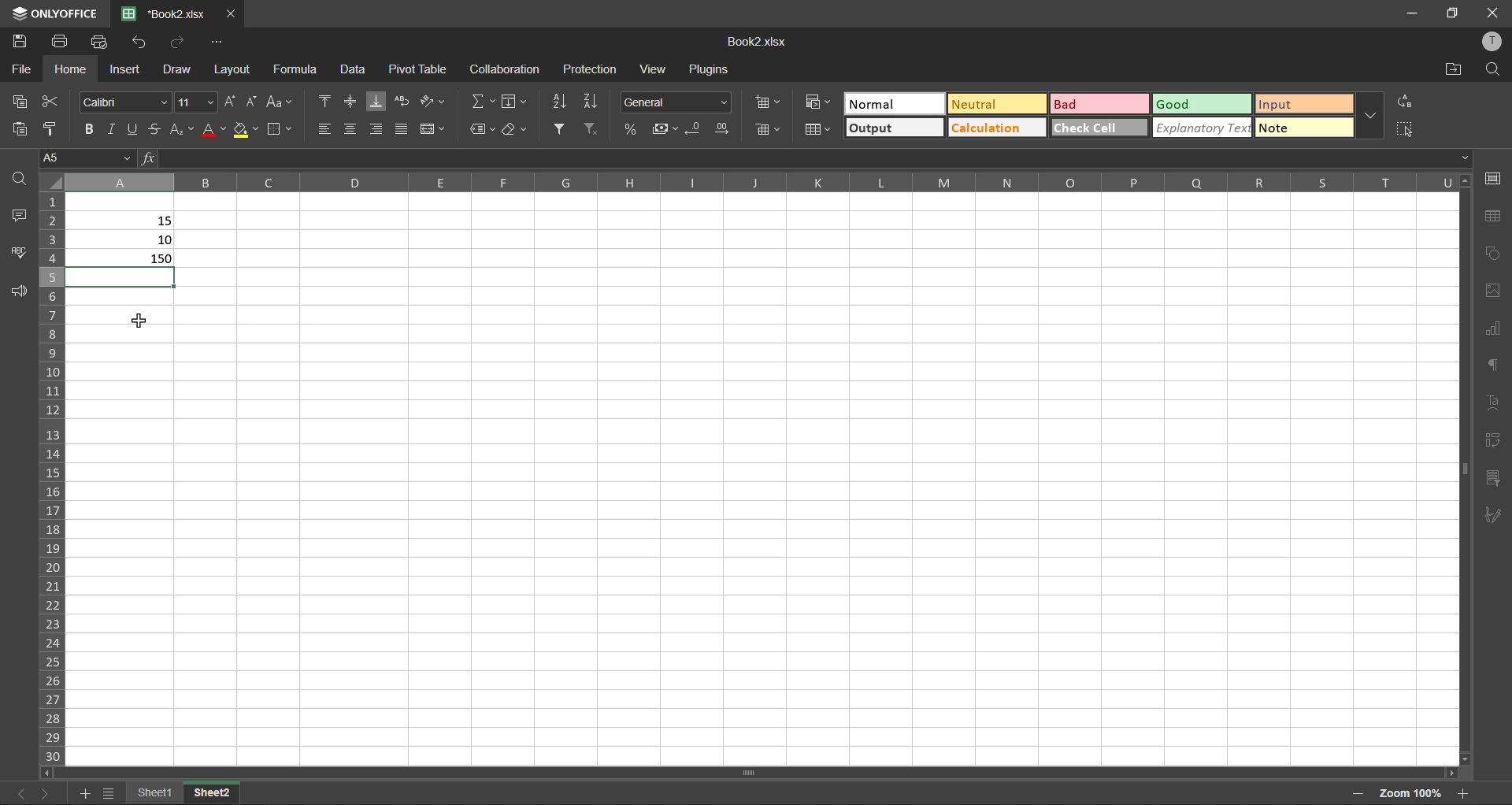  Describe the element at coordinates (17, 793) in the screenshot. I see `previous` at that location.